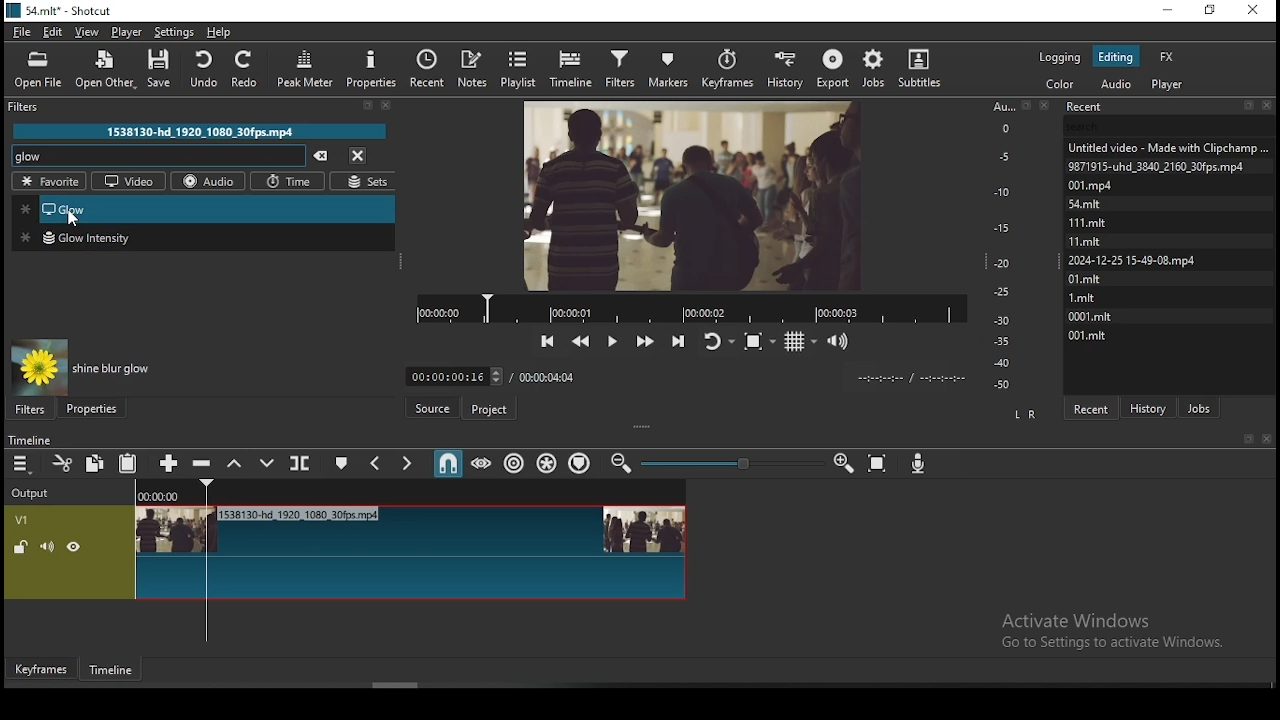  Describe the element at coordinates (1255, 11) in the screenshot. I see `close window` at that location.